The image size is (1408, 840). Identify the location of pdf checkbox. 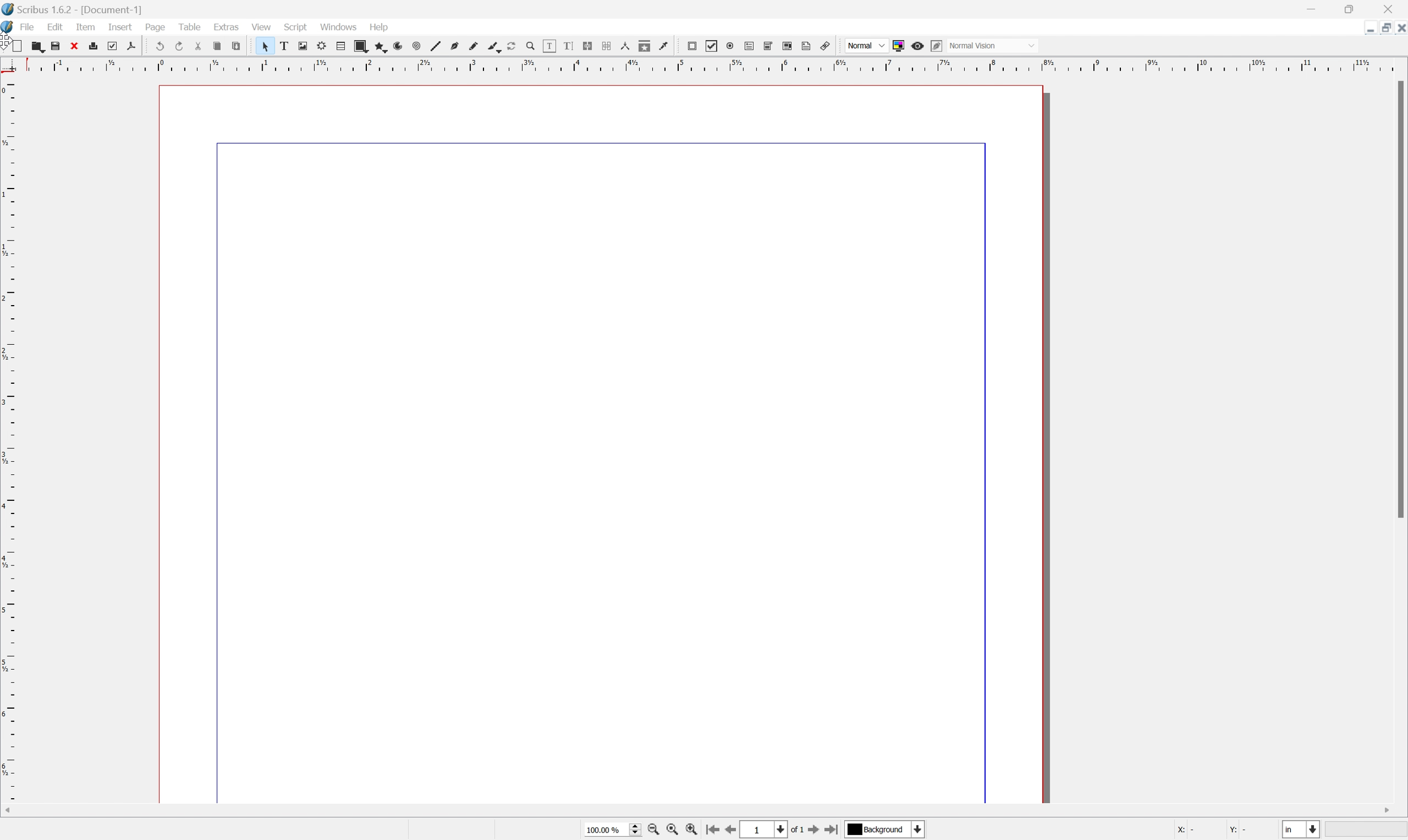
(711, 46).